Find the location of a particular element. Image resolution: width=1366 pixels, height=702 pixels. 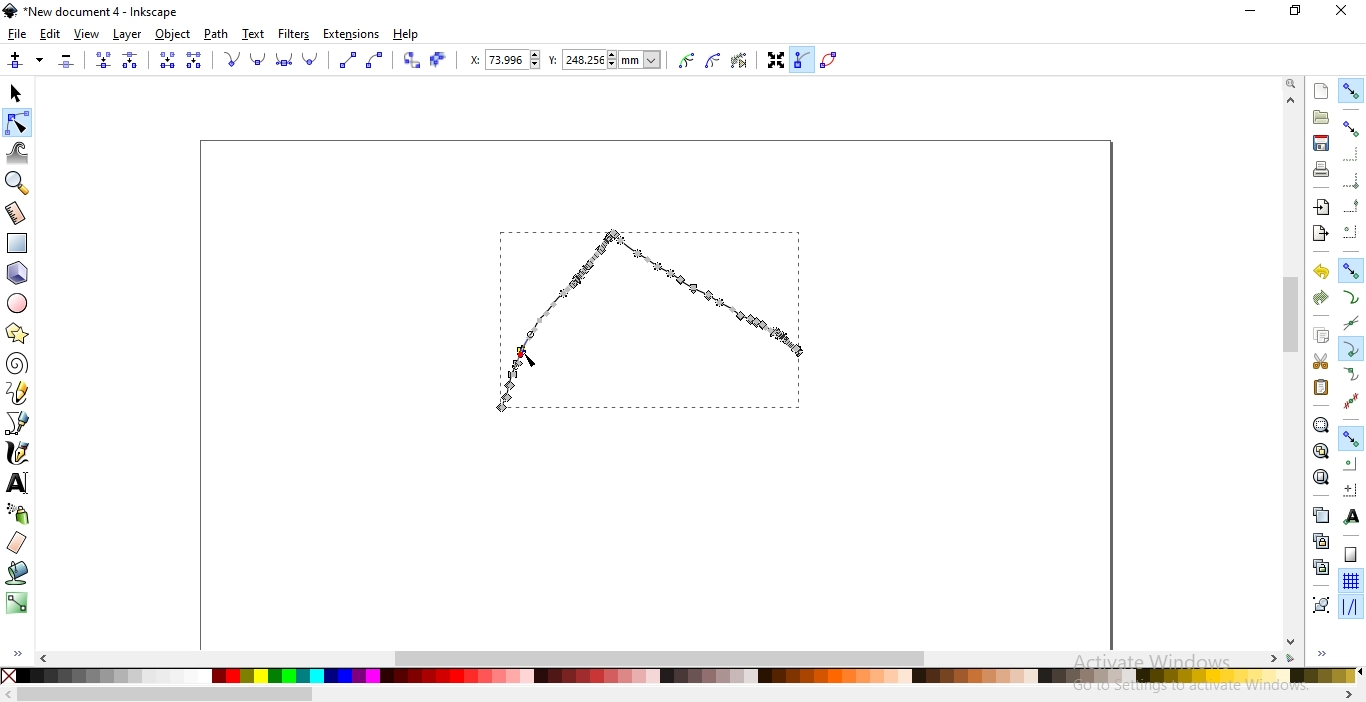

print document is located at coordinates (1320, 169).